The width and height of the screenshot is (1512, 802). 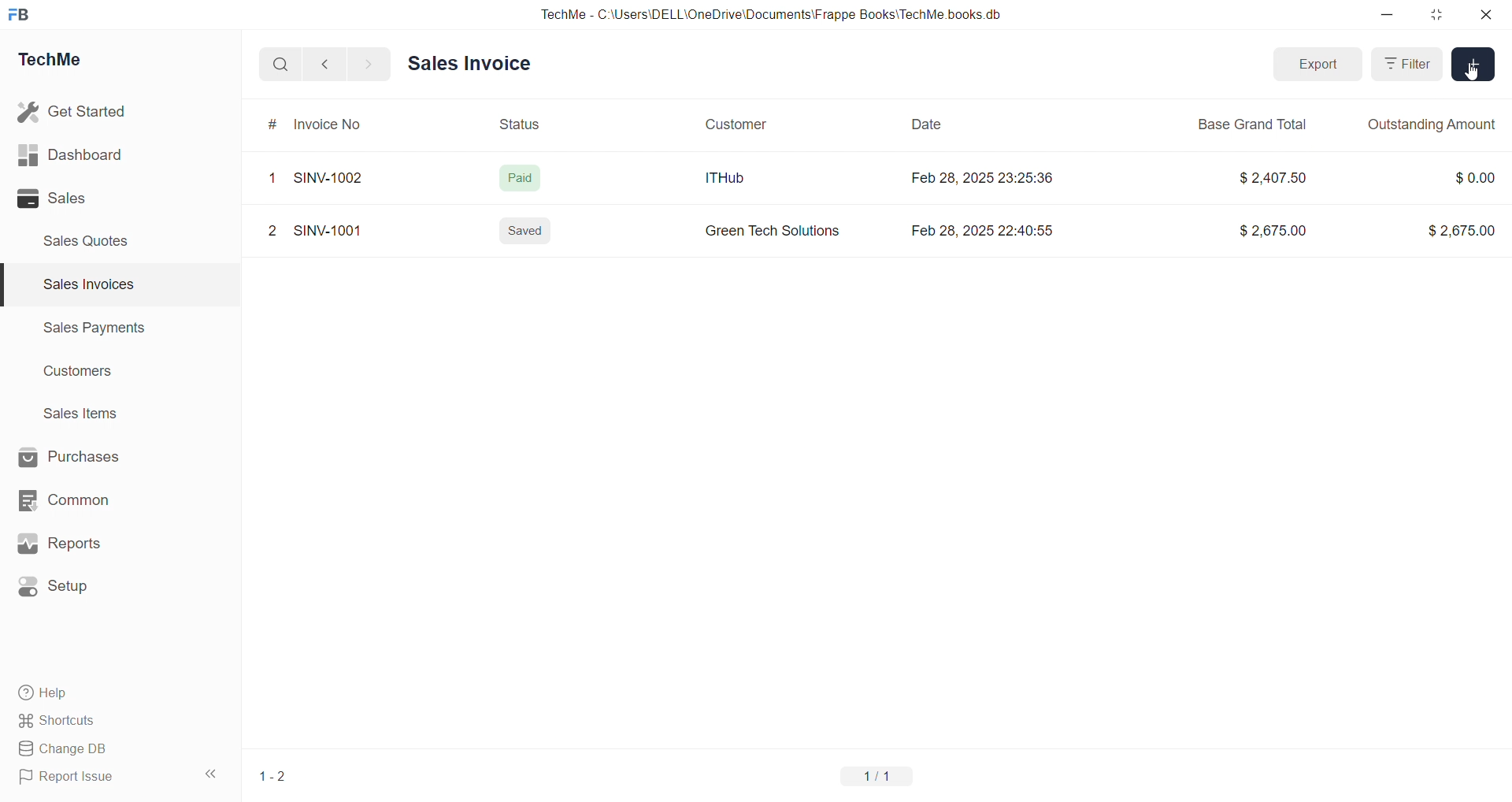 I want to click on Feb 28, 2025 22:40:55, so click(x=989, y=231).